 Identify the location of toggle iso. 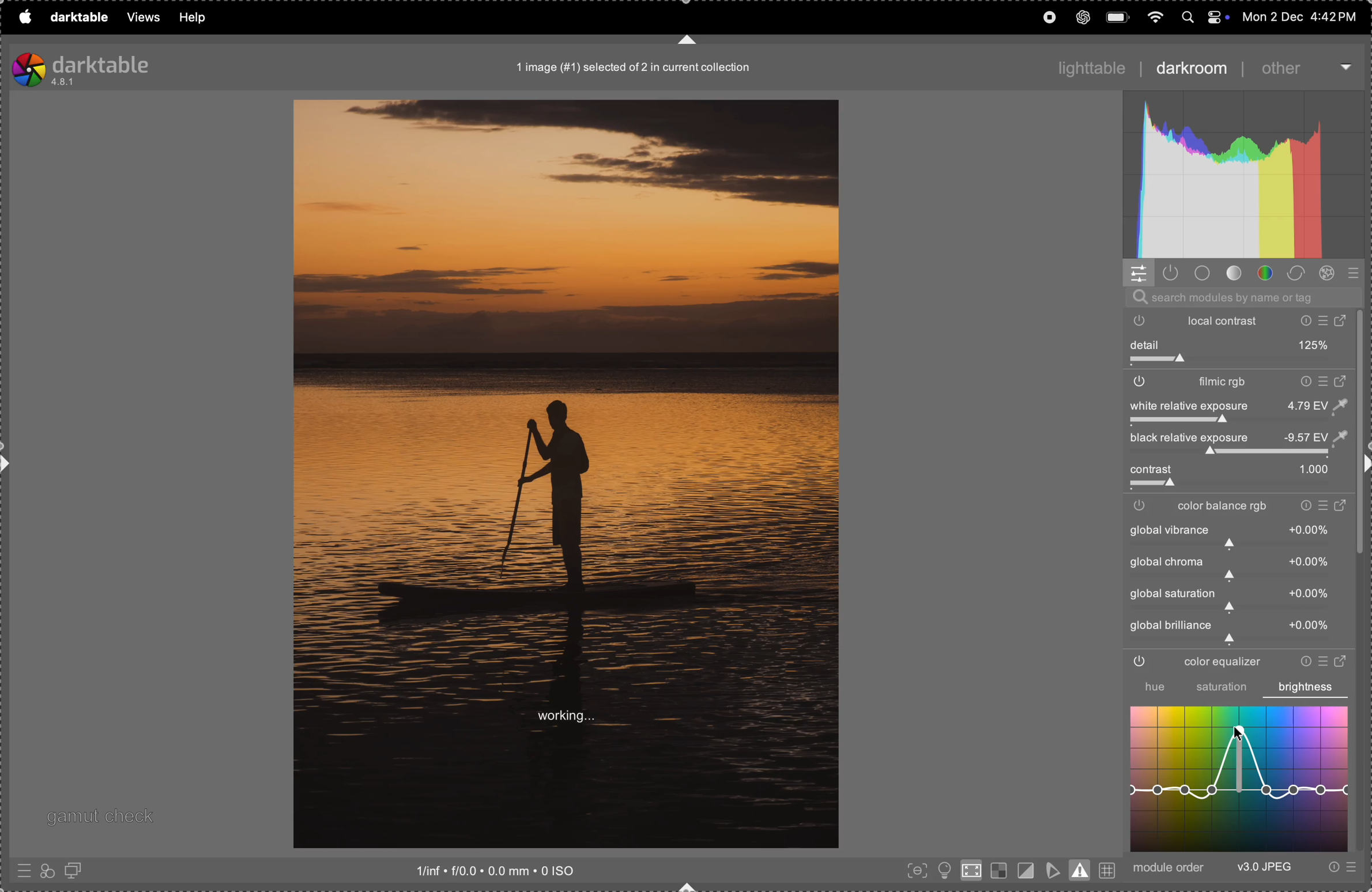
(970, 873).